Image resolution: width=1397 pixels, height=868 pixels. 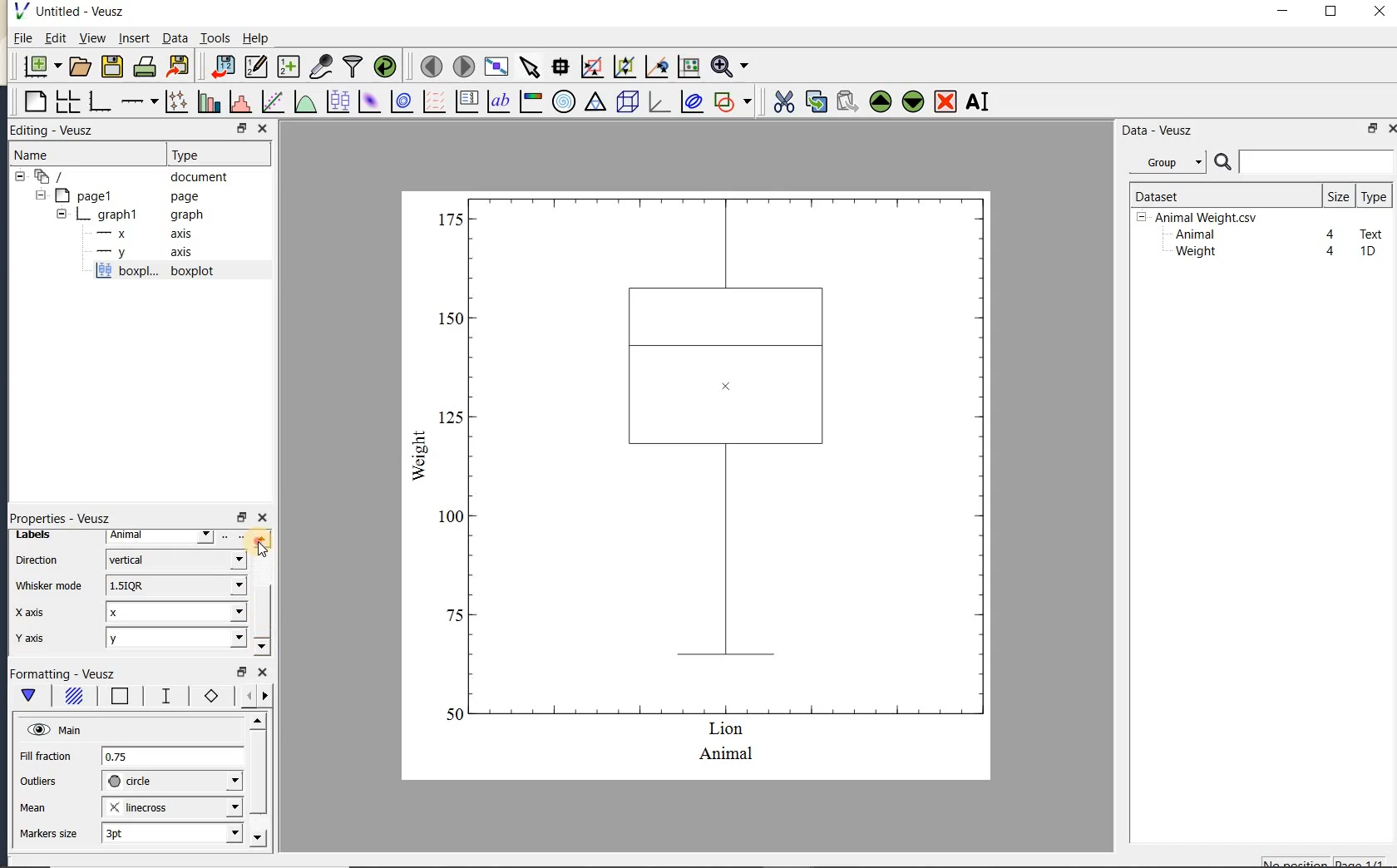 I want to click on Main, so click(x=54, y=728).